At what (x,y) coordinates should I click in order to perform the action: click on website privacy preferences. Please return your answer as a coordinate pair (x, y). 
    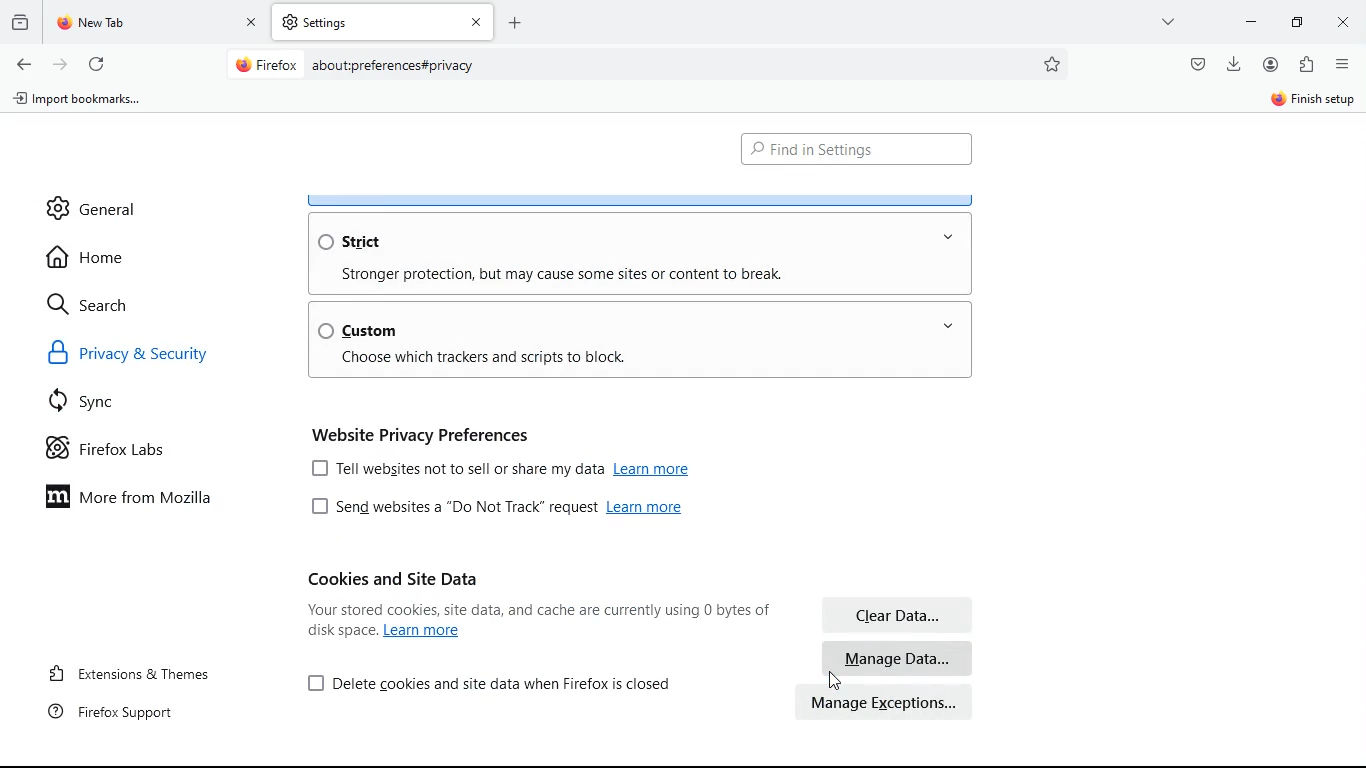
    Looking at the image, I should click on (425, 432).